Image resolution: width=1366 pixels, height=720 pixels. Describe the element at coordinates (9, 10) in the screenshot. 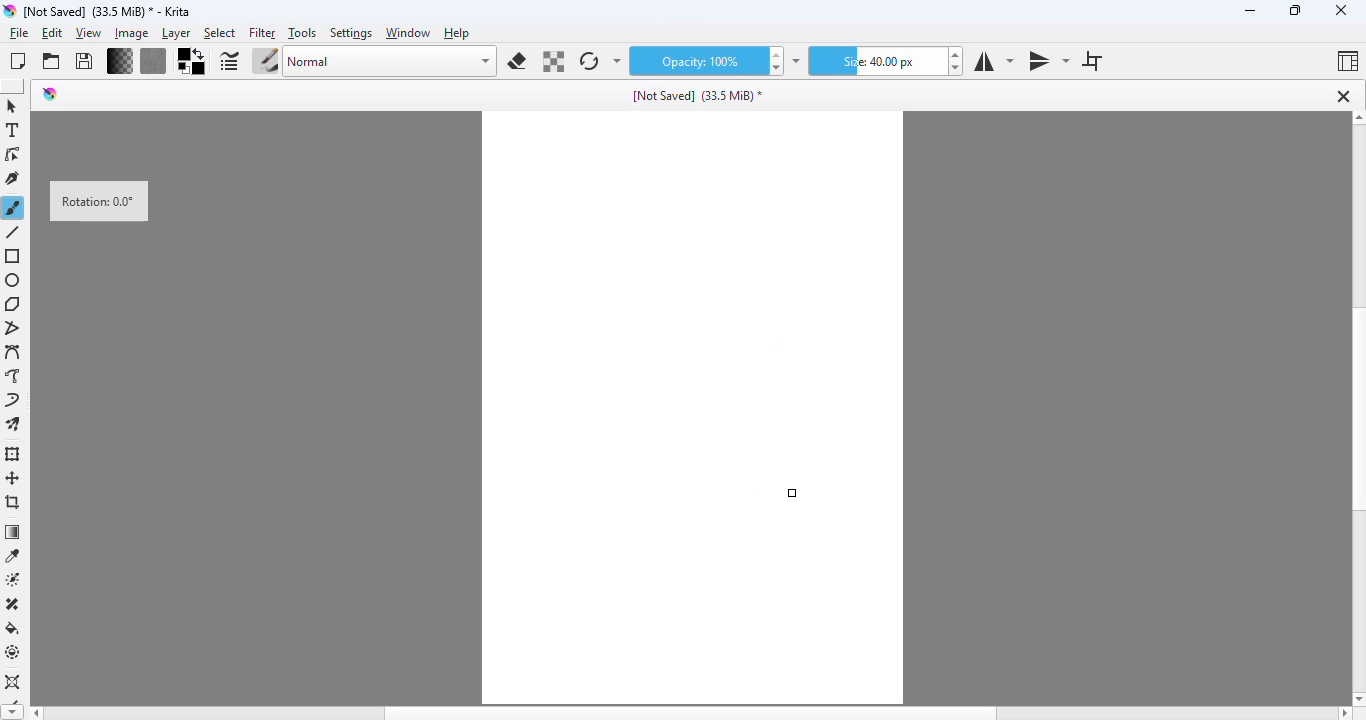

I see `logo` at that location.